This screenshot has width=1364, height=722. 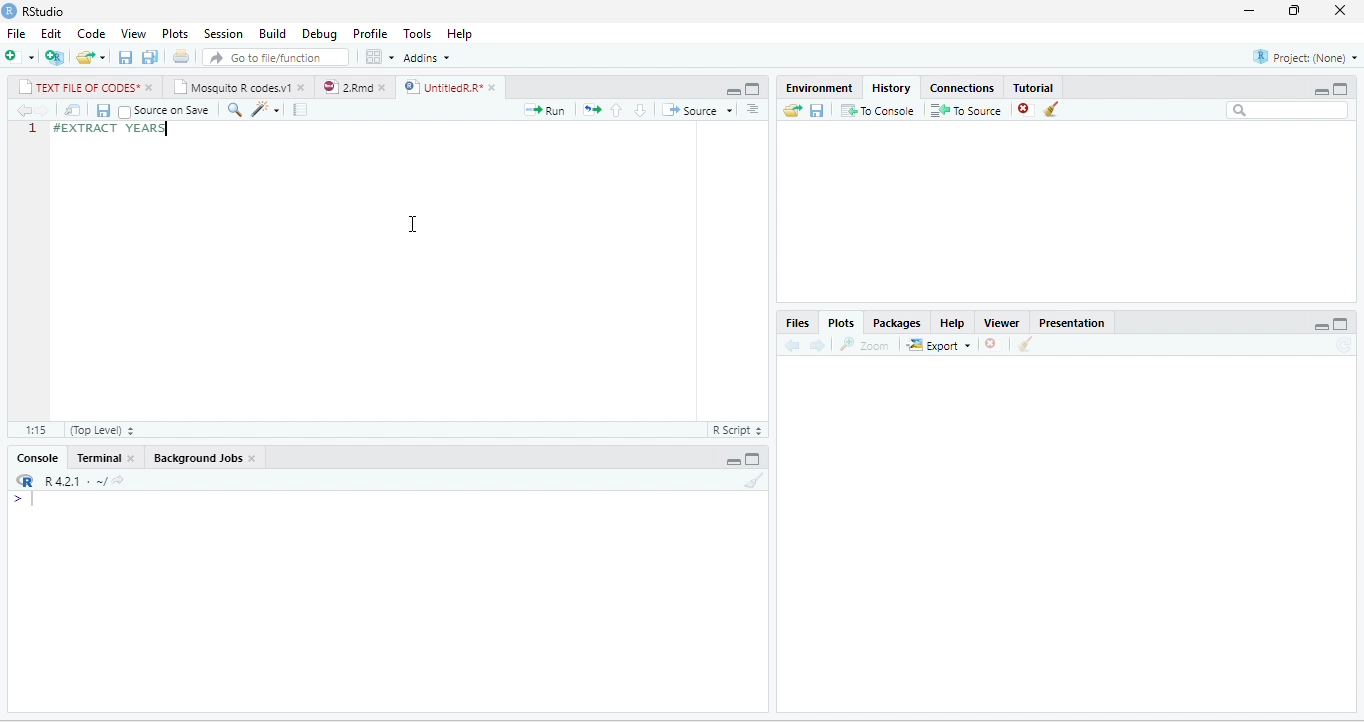 What do you see at coordinates (442, 86) in the screenshot?
I see `UntitledR.R` at bounding box center [442, 86].